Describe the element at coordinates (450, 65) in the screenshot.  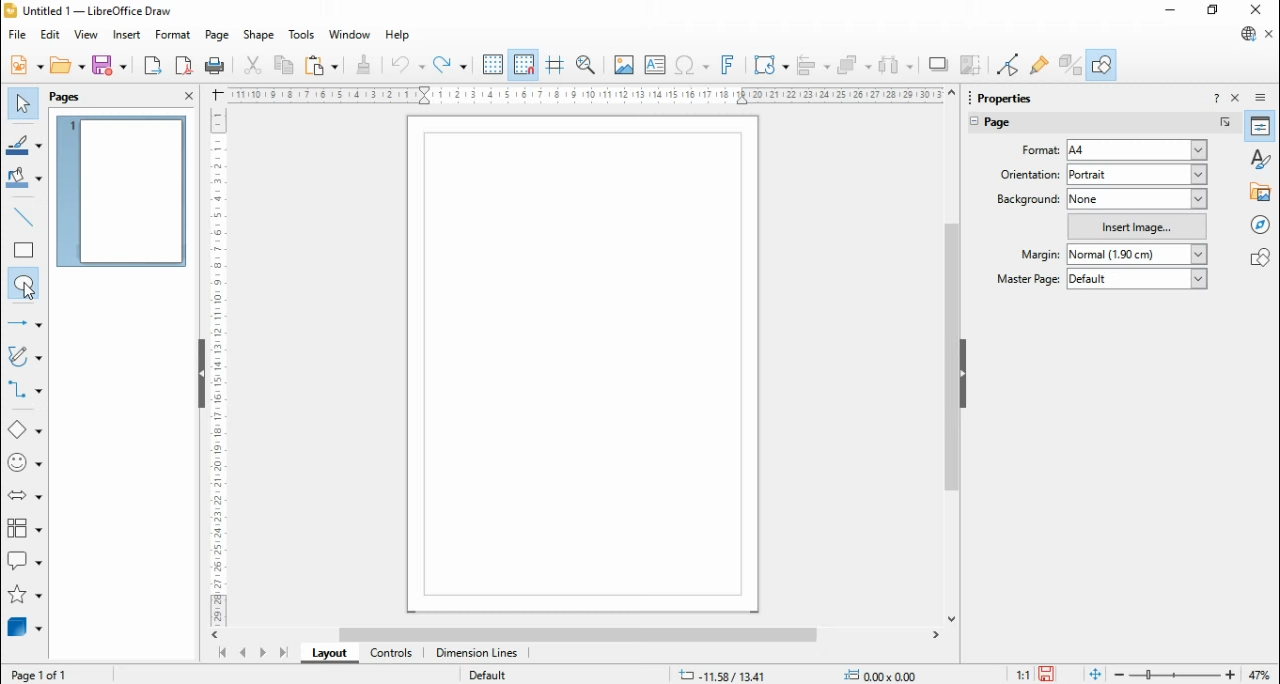
I see `redo` at that location.